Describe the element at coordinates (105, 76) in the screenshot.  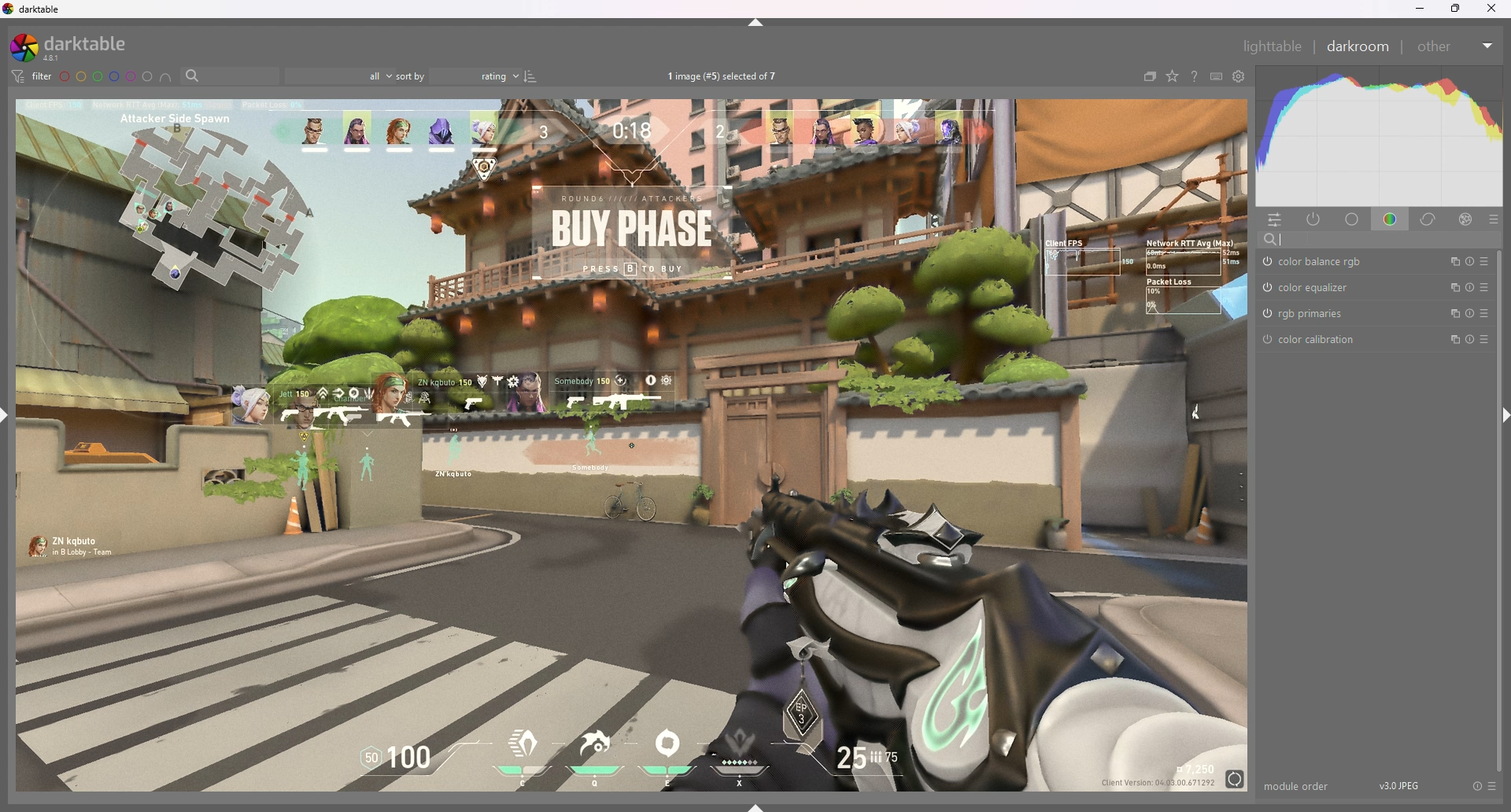
I see `color labels` at that location.